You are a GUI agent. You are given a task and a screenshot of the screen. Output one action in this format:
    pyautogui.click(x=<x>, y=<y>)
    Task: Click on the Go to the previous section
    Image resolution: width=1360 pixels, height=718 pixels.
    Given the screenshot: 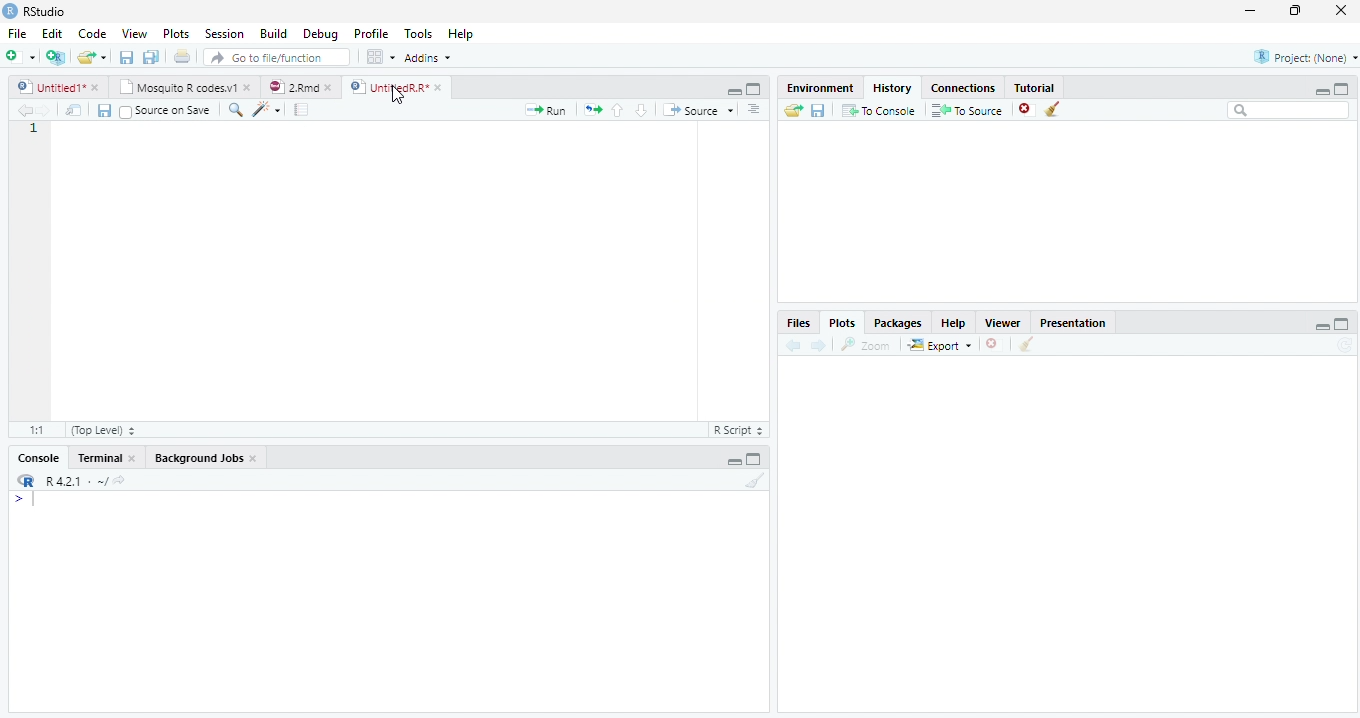 What is the action you would take?
    pyautogui.click(x=617, y=109)
    